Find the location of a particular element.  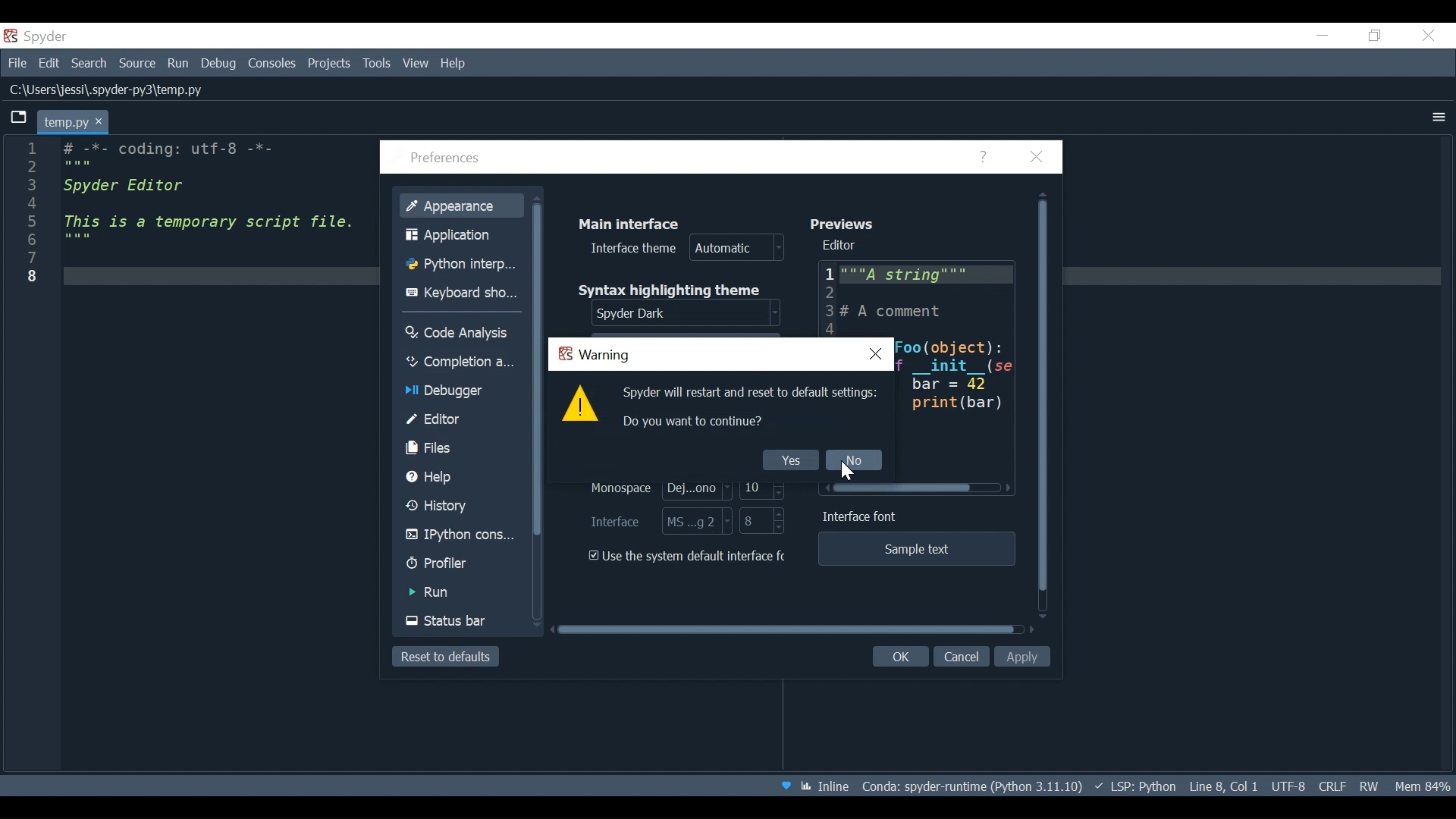

IPython Console is located at coordinates (461, 537).